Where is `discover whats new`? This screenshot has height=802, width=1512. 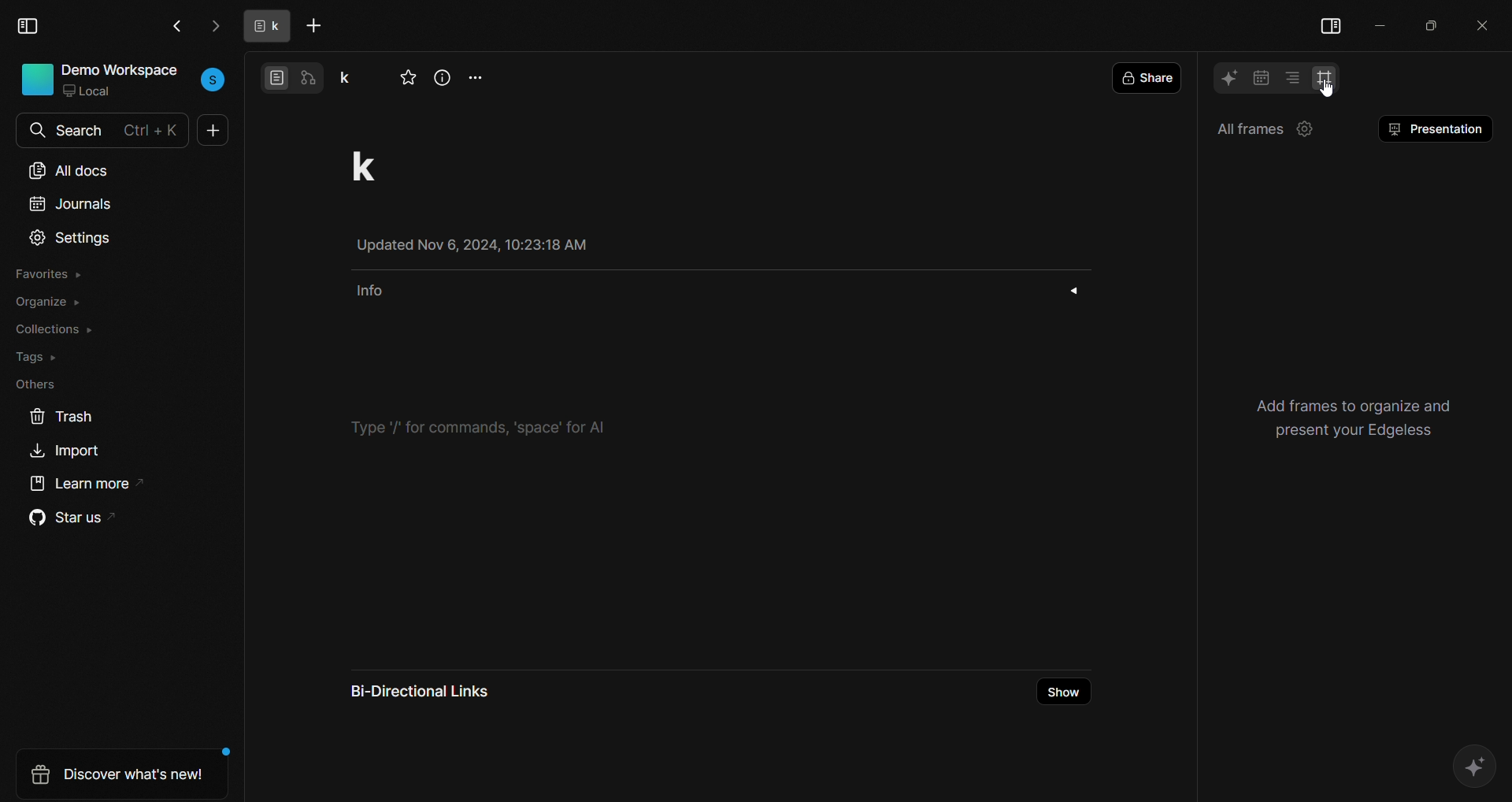 discover whats new is located at coordinates (114, 774).